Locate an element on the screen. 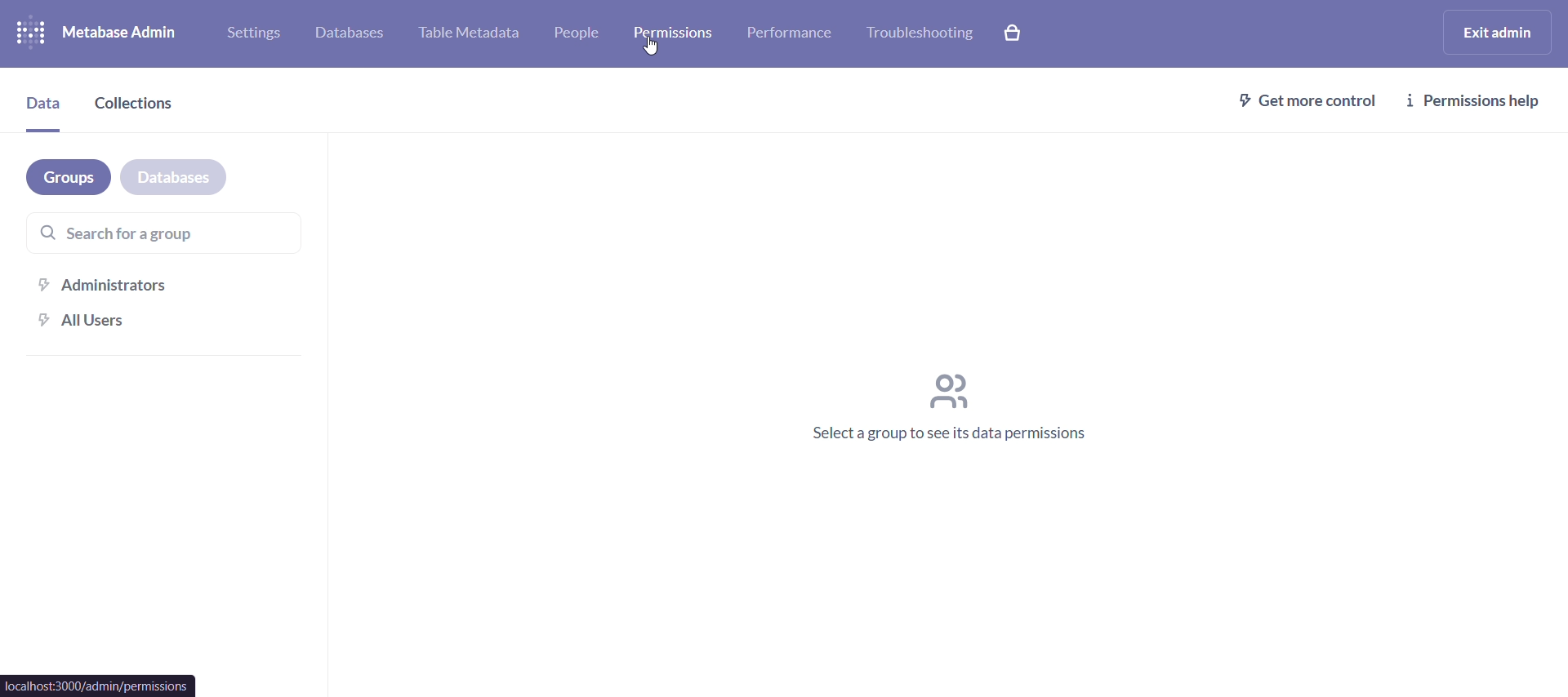 The image size is (1568, 697). all users is located at coordinates (176, 321).